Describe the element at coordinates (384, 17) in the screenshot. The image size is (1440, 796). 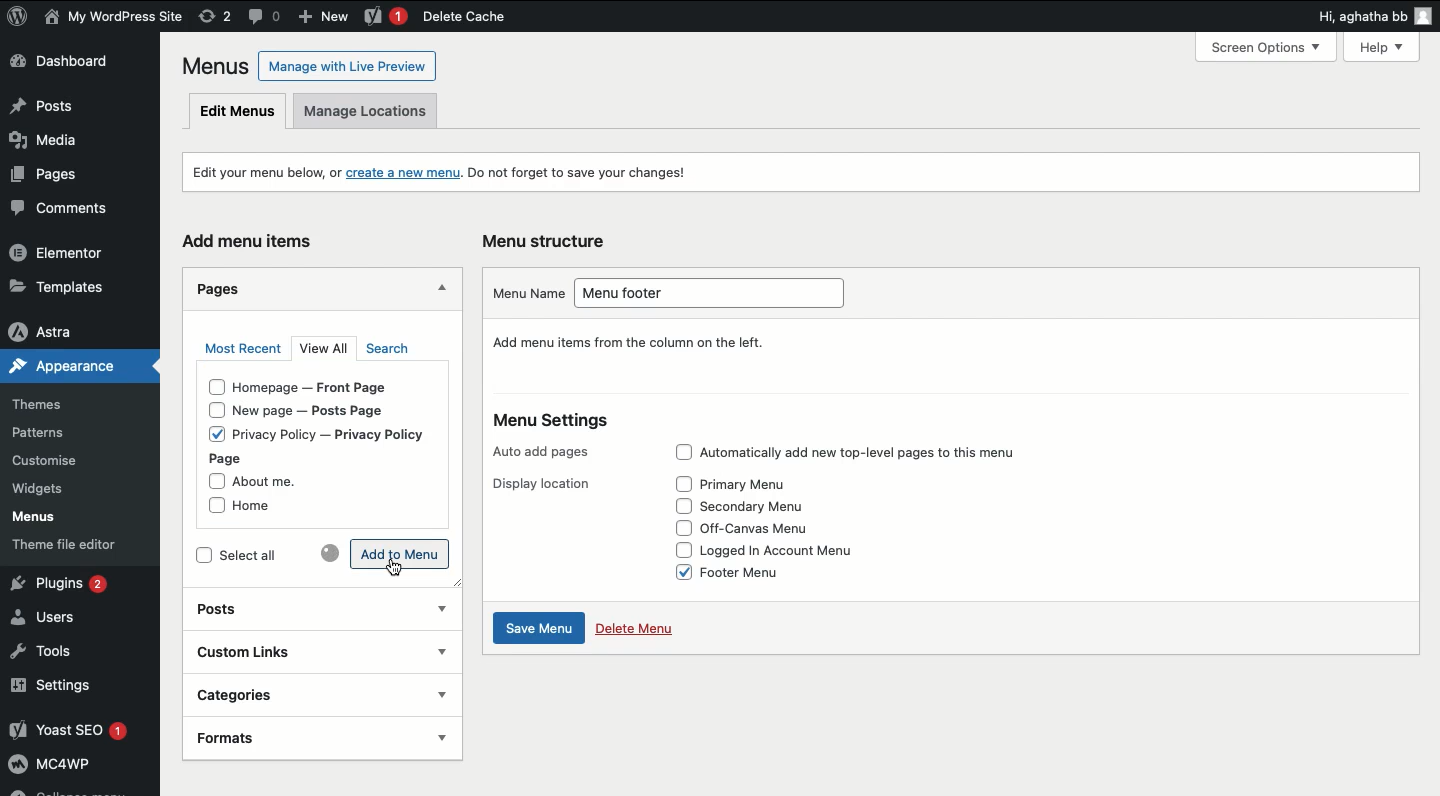
I see `Yoast` at that location.